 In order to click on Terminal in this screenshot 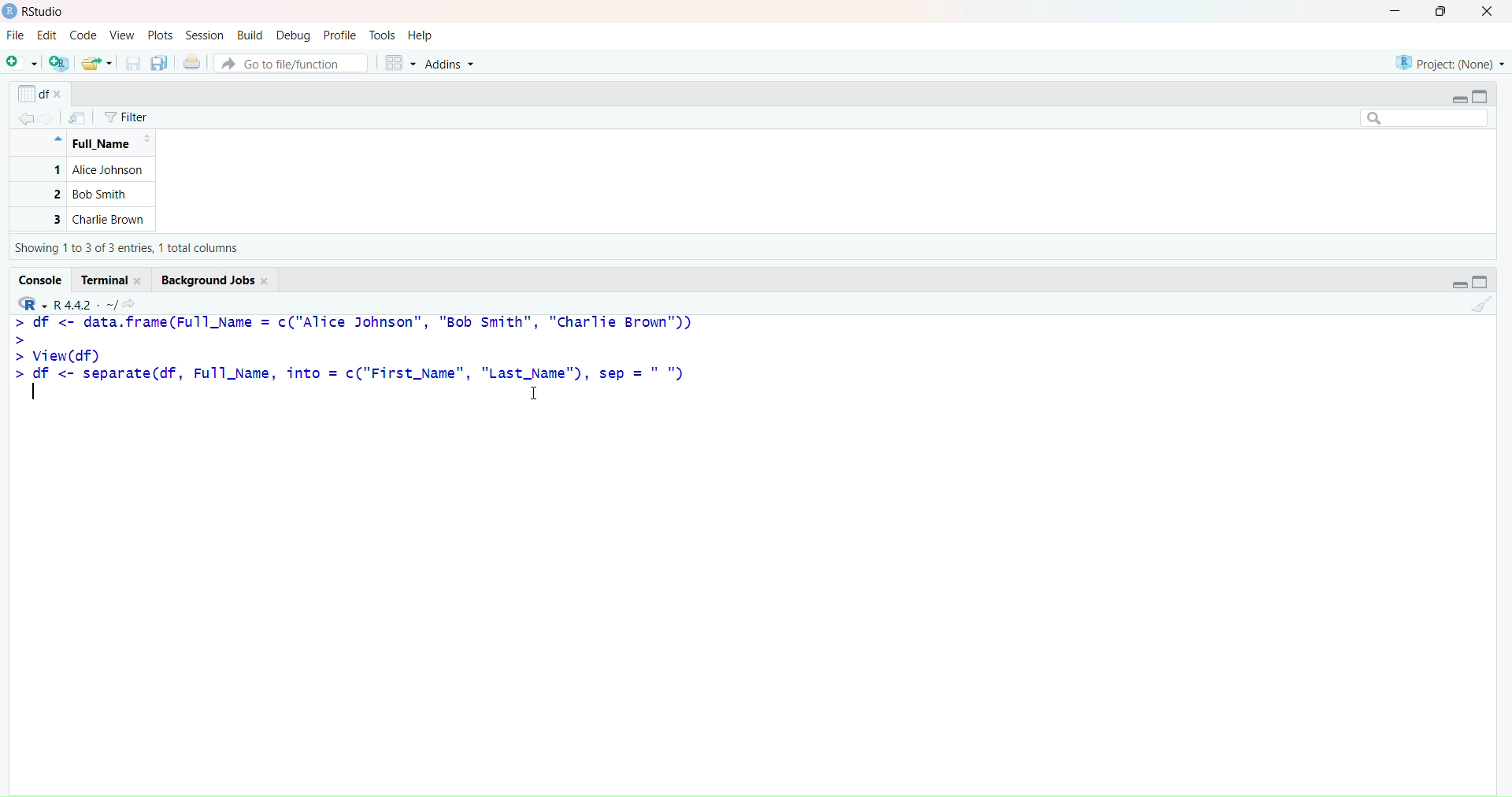, I will do `click(116, 277)`.